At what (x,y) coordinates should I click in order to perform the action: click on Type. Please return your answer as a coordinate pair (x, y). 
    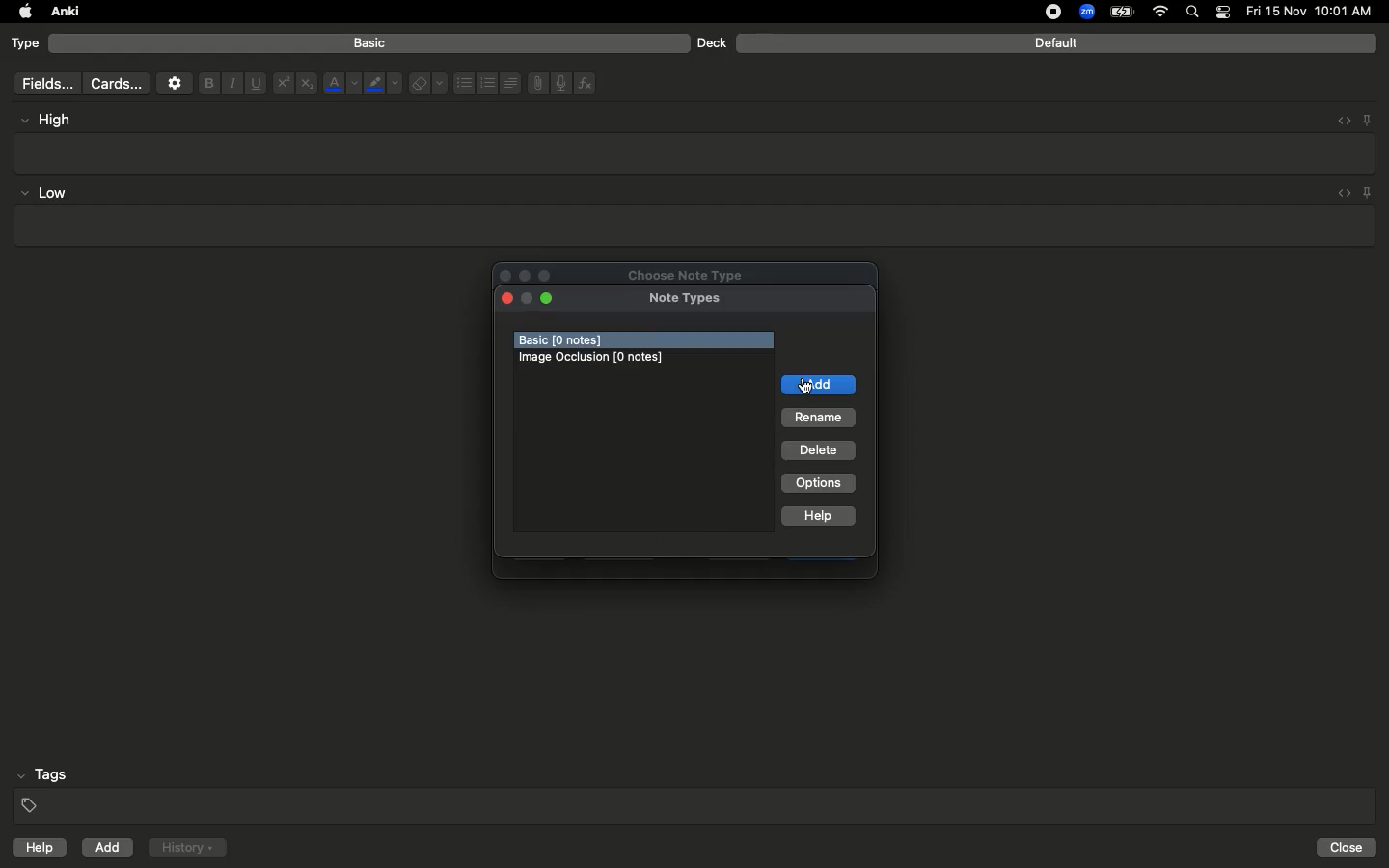
    Looking at the image, I should click on (26, 44).